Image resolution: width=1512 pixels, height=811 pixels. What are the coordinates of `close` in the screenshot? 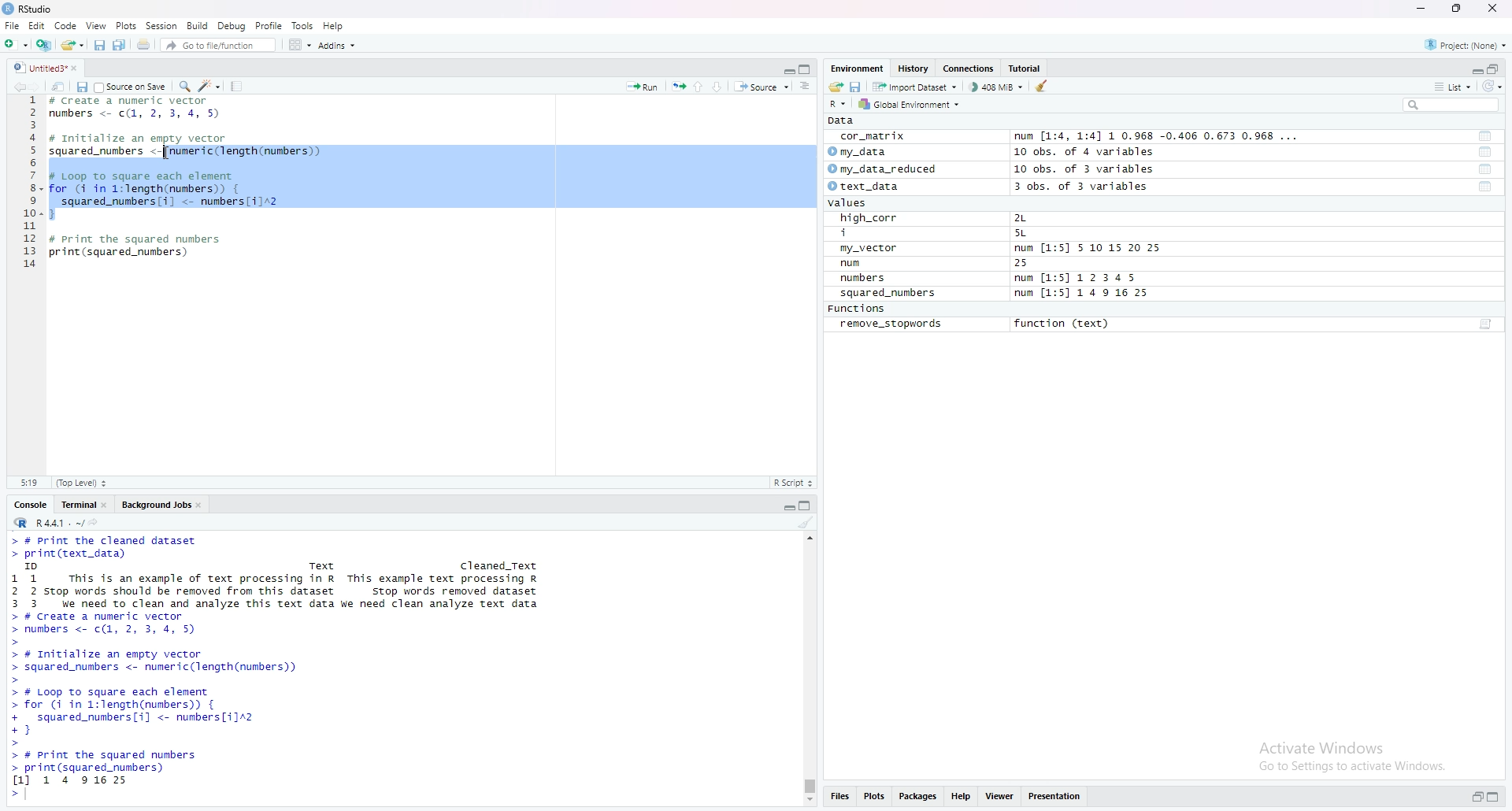 It's located at (1495, 9).